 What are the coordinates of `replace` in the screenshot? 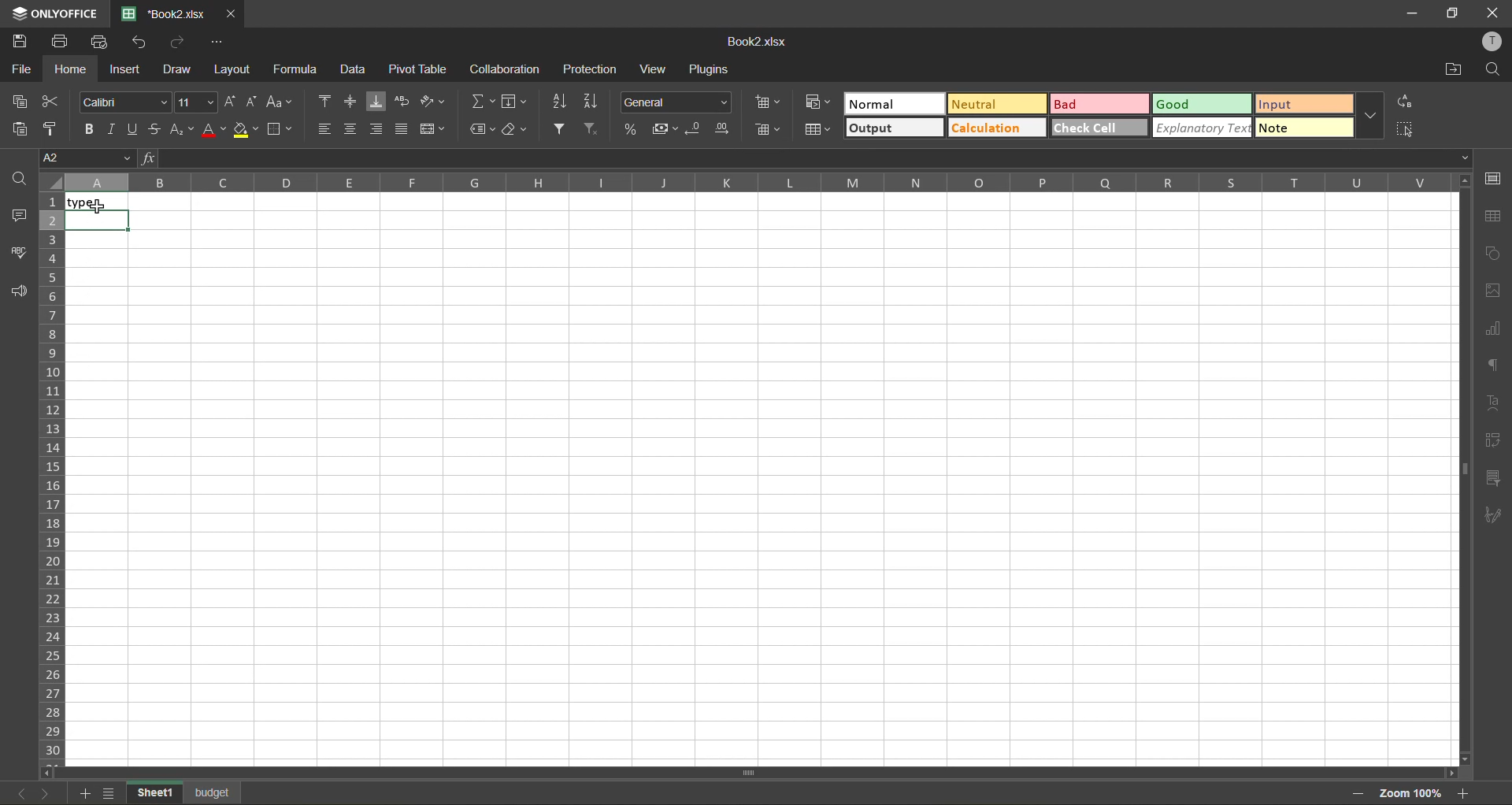 It's located at (1404, 102).